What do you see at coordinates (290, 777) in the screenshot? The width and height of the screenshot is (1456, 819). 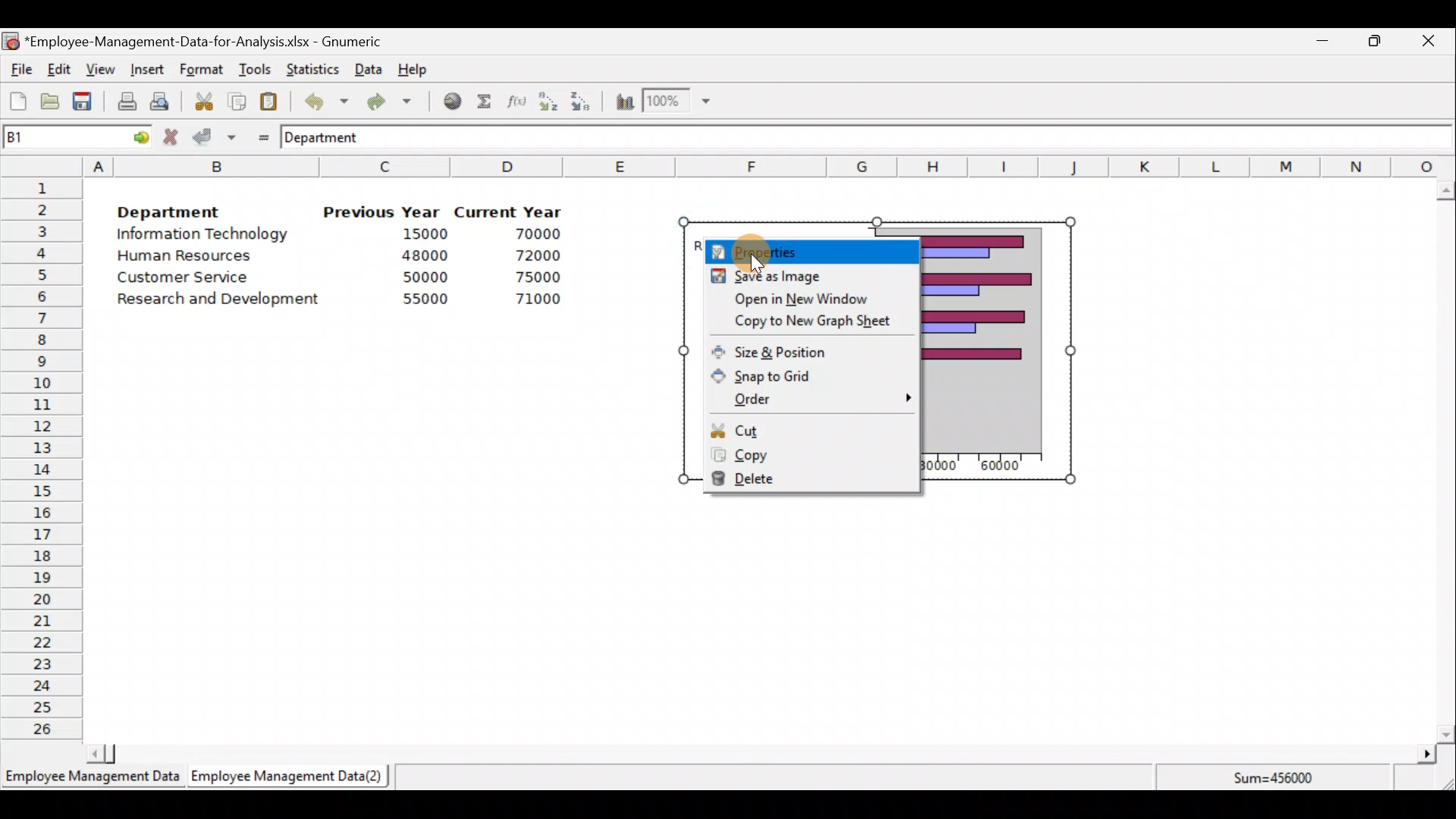 I see `Employee Management Data (2)` at bounding box center [290, 777].